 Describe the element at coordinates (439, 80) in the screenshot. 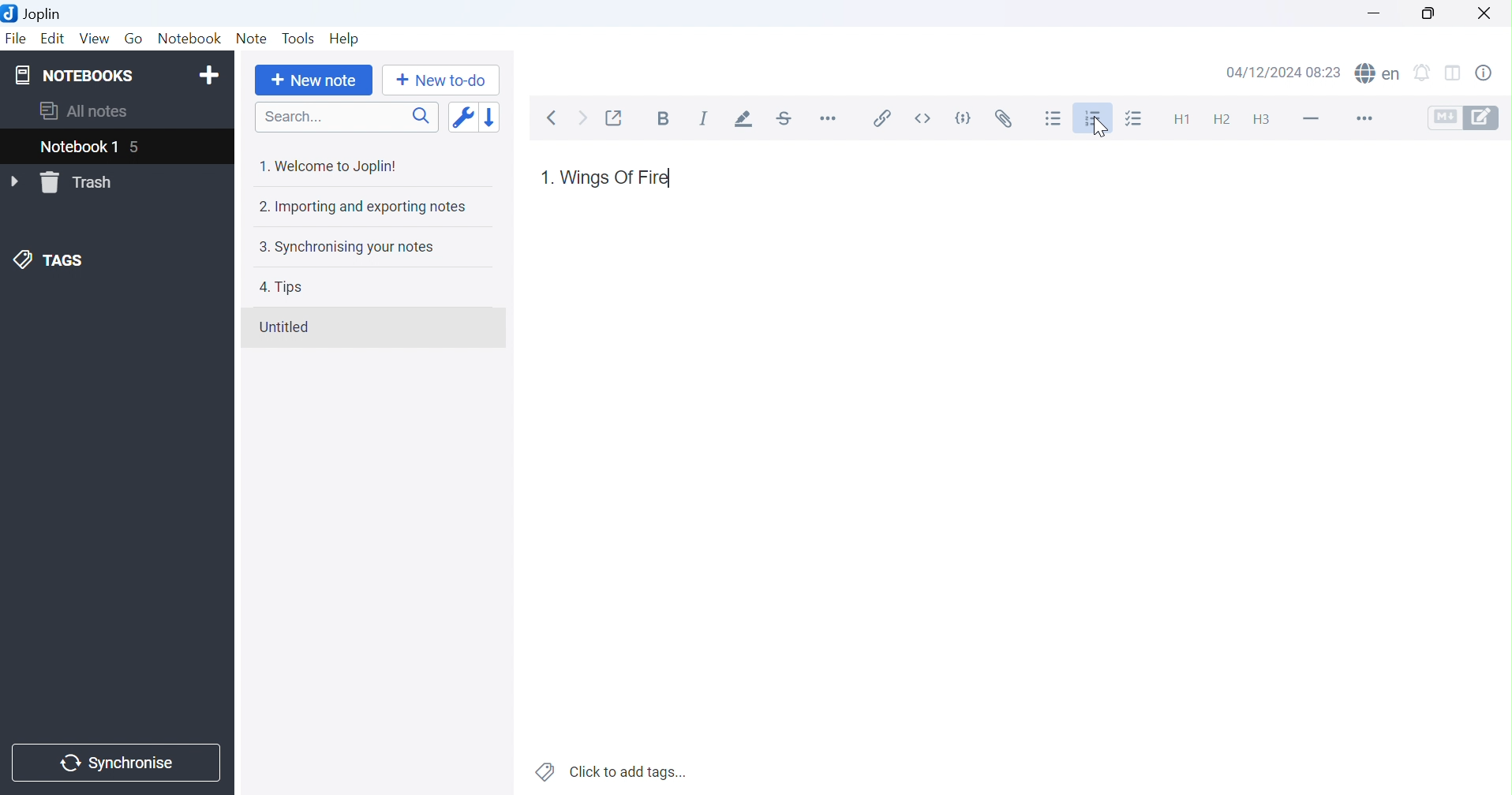

I see `New to-do` at that location.